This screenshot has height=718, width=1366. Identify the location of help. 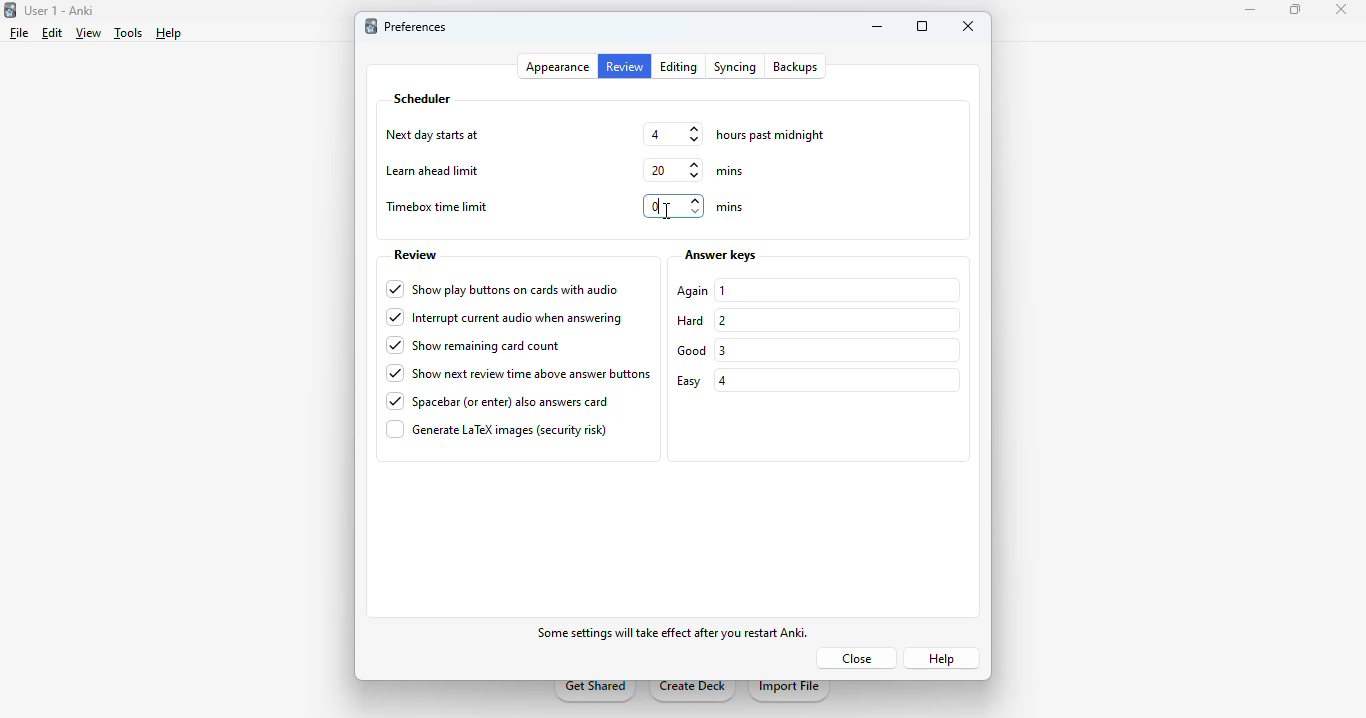
(939, 657).